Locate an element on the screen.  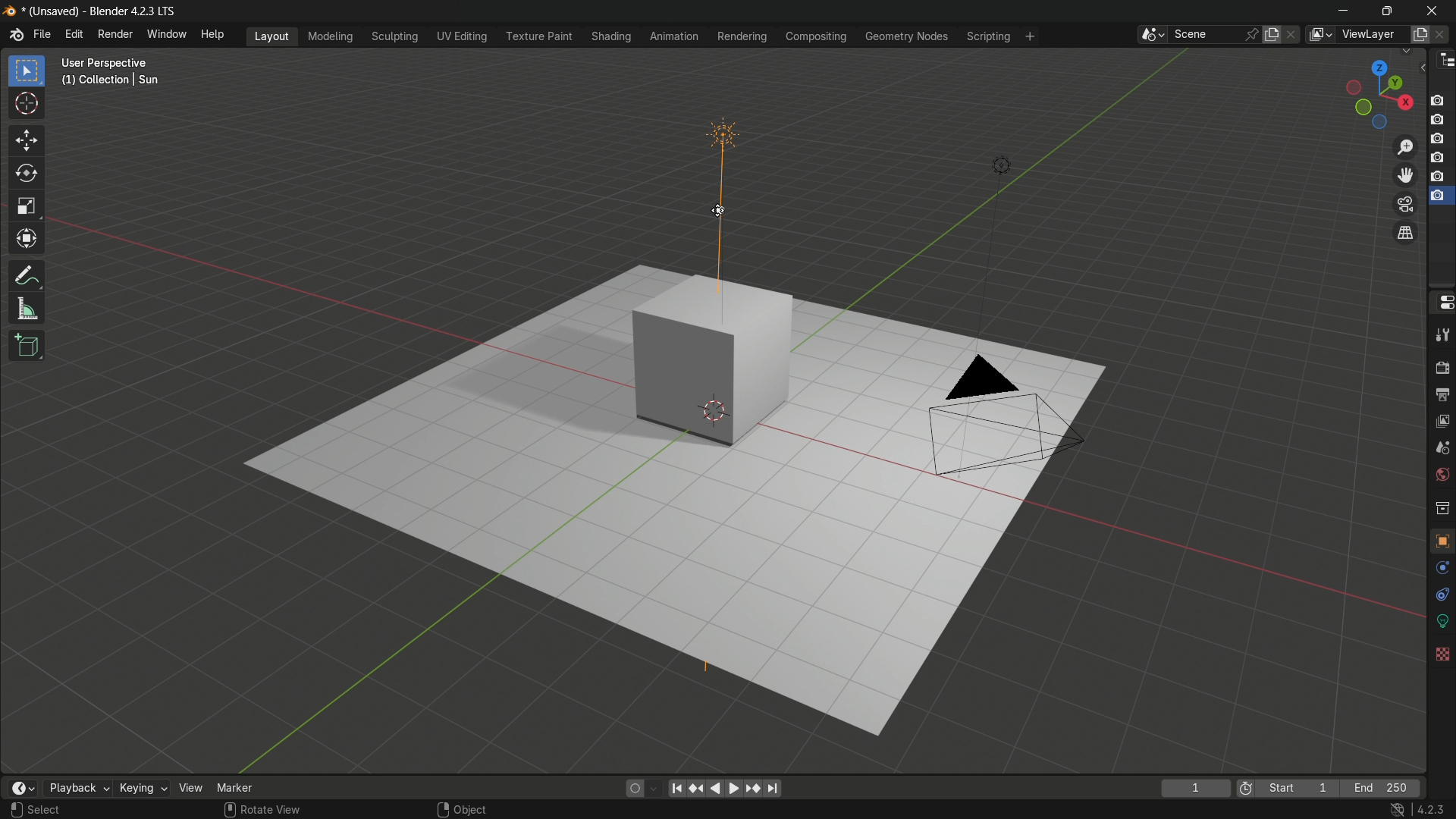
start 1 is located at coordinates (1299, 786).